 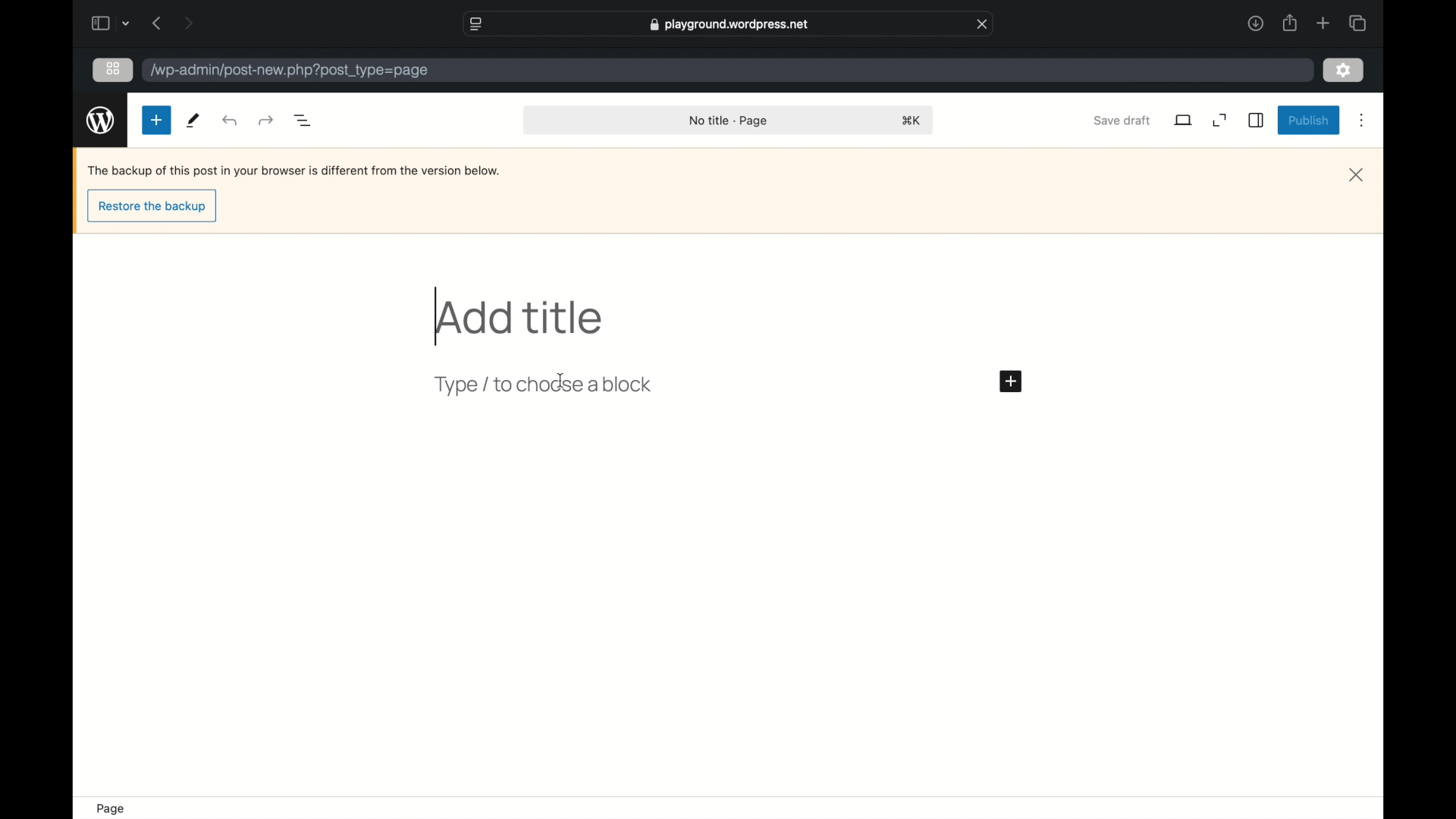 What do you see at coordinates (1363, 121) in the screenshot?
I see `more options` at bounding box center [1363, 121].